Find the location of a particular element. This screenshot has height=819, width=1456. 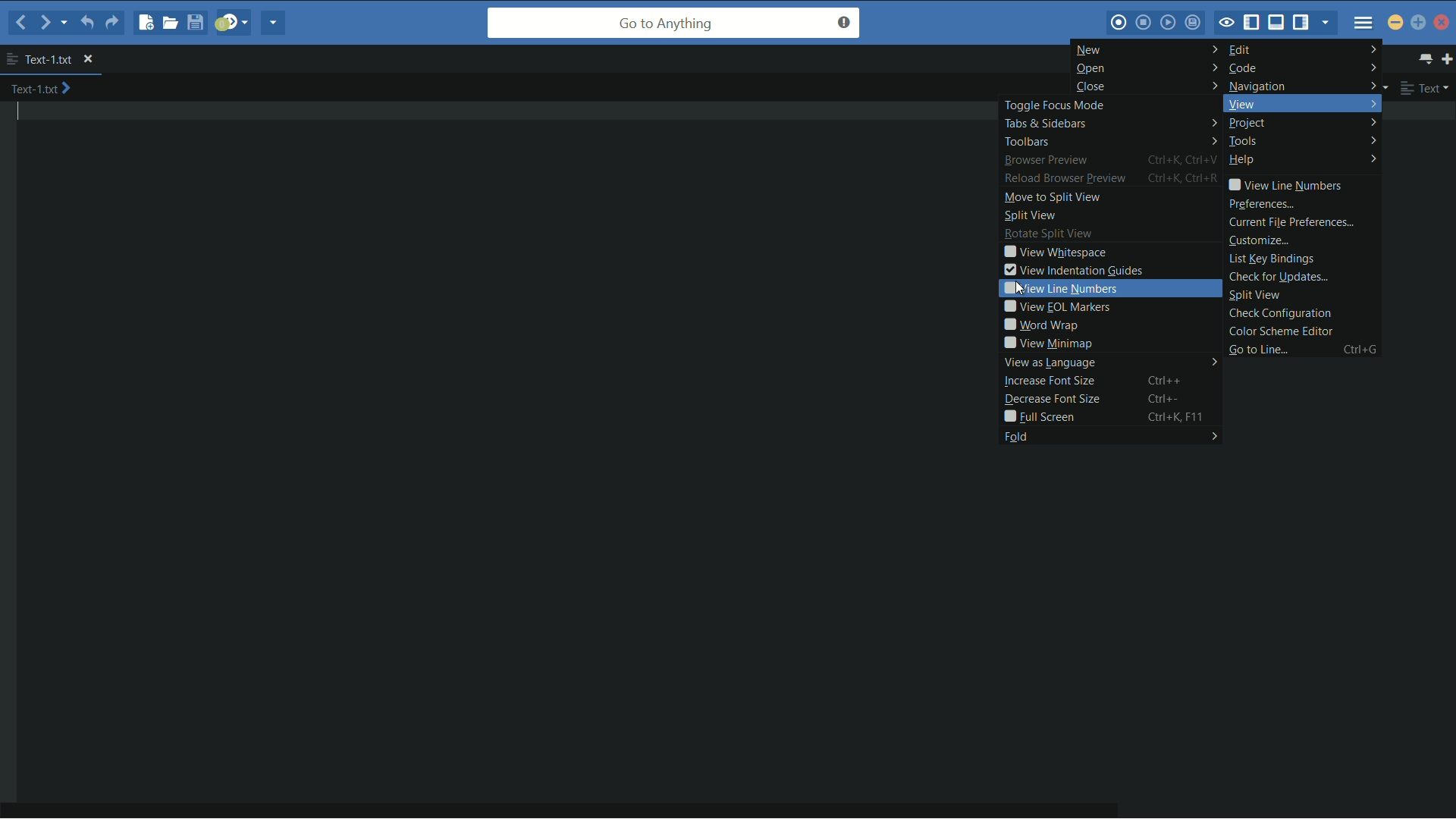

view as language is located at coordinates (1107, 363).